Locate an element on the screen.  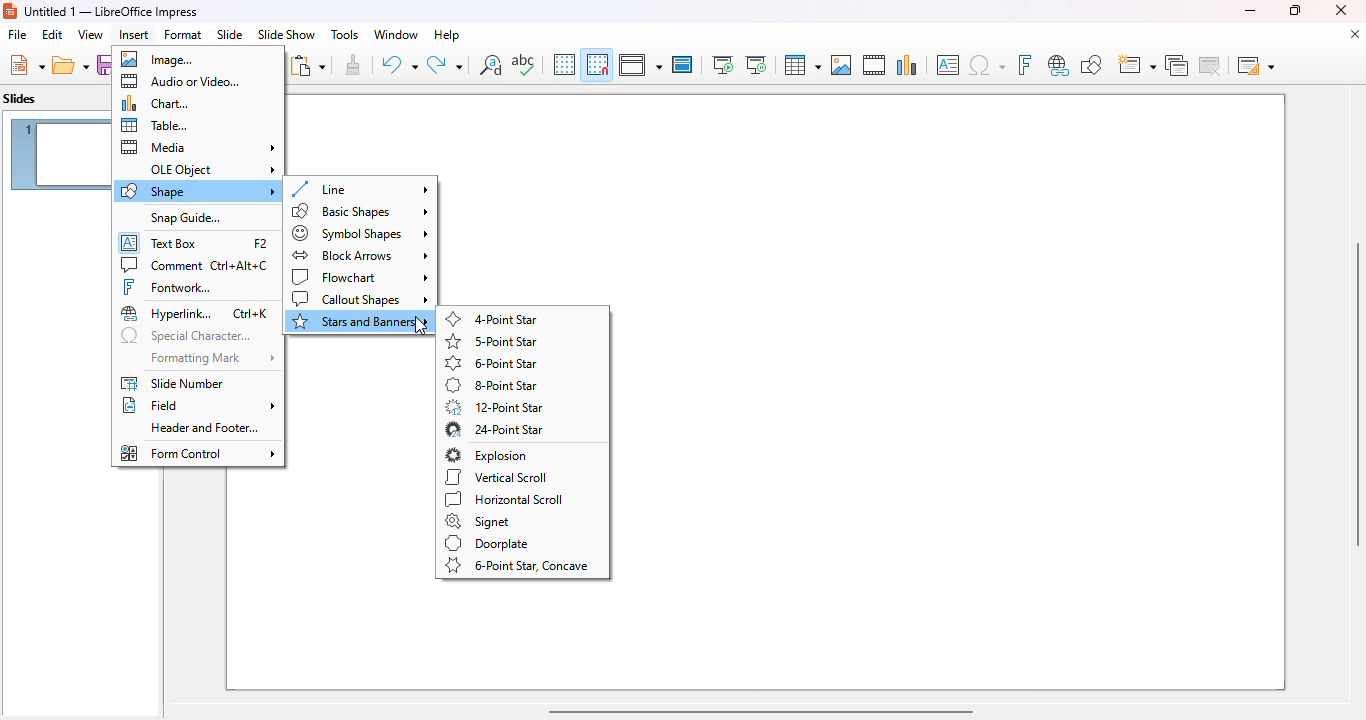
find and replace is located at coordinates (491, 64).